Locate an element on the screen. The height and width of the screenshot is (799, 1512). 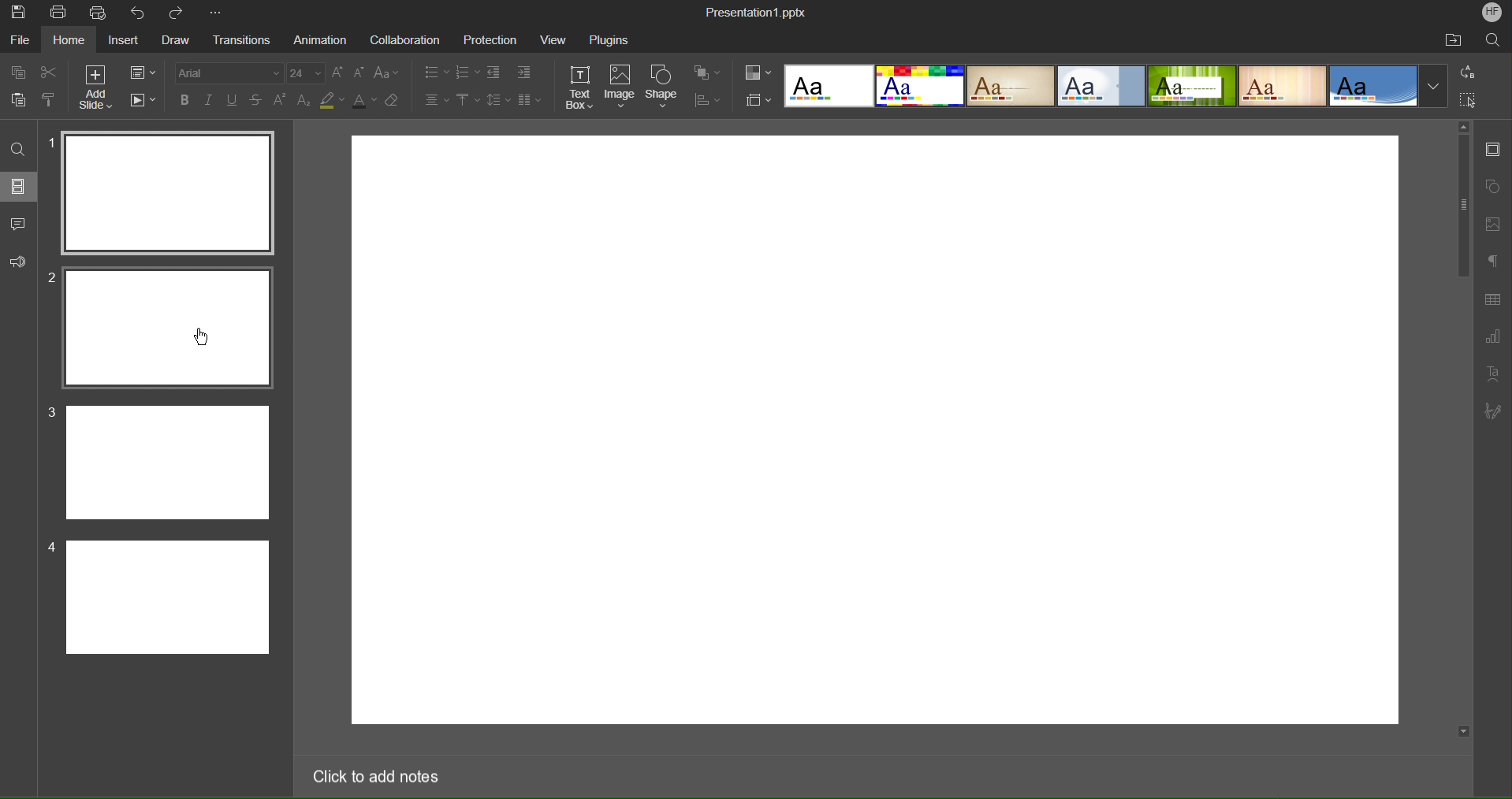
Insert is located at coordinates (126, 40).